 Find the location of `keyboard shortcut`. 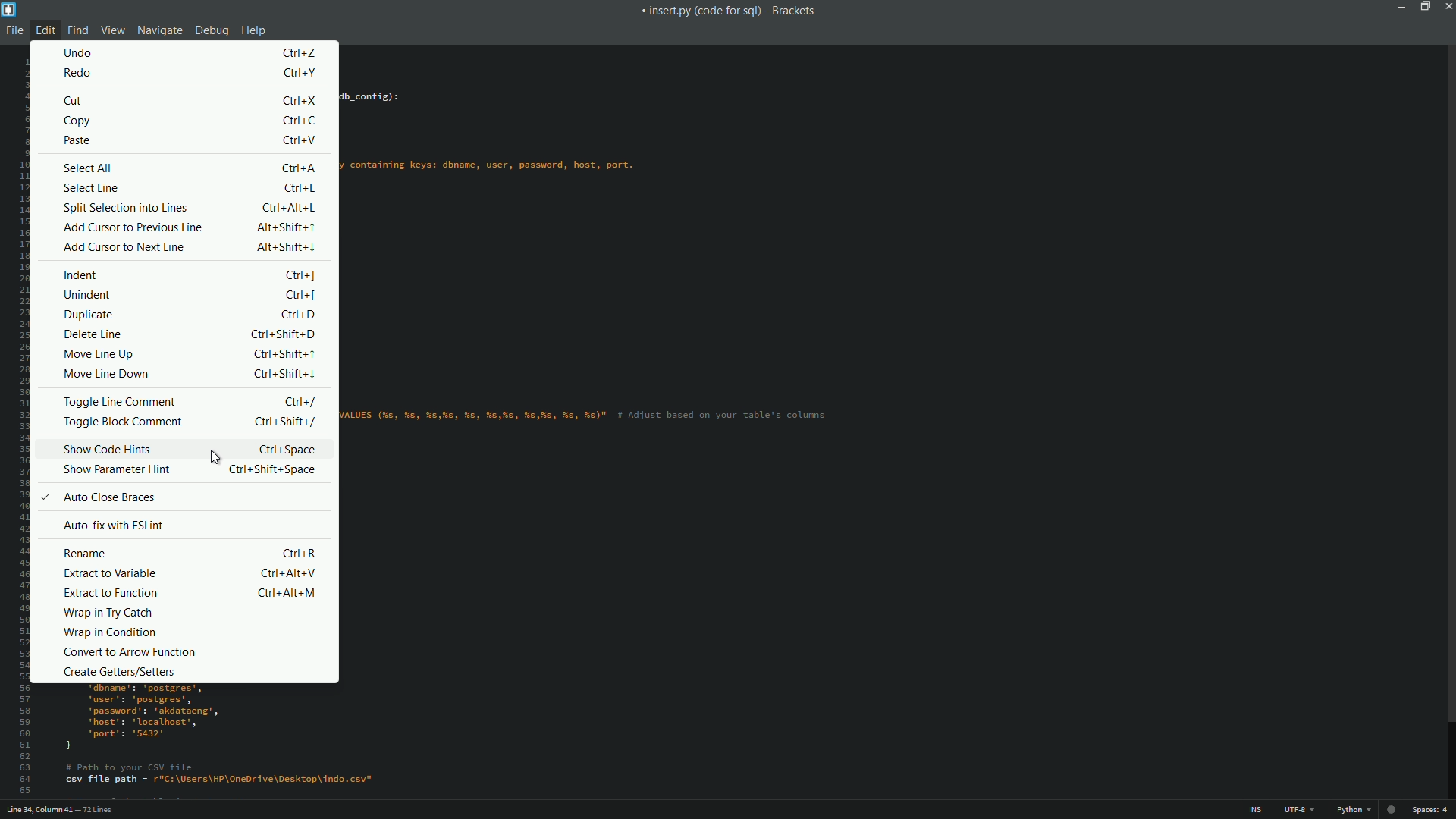

keyboard shortcut is located at coordinates (284, 227).